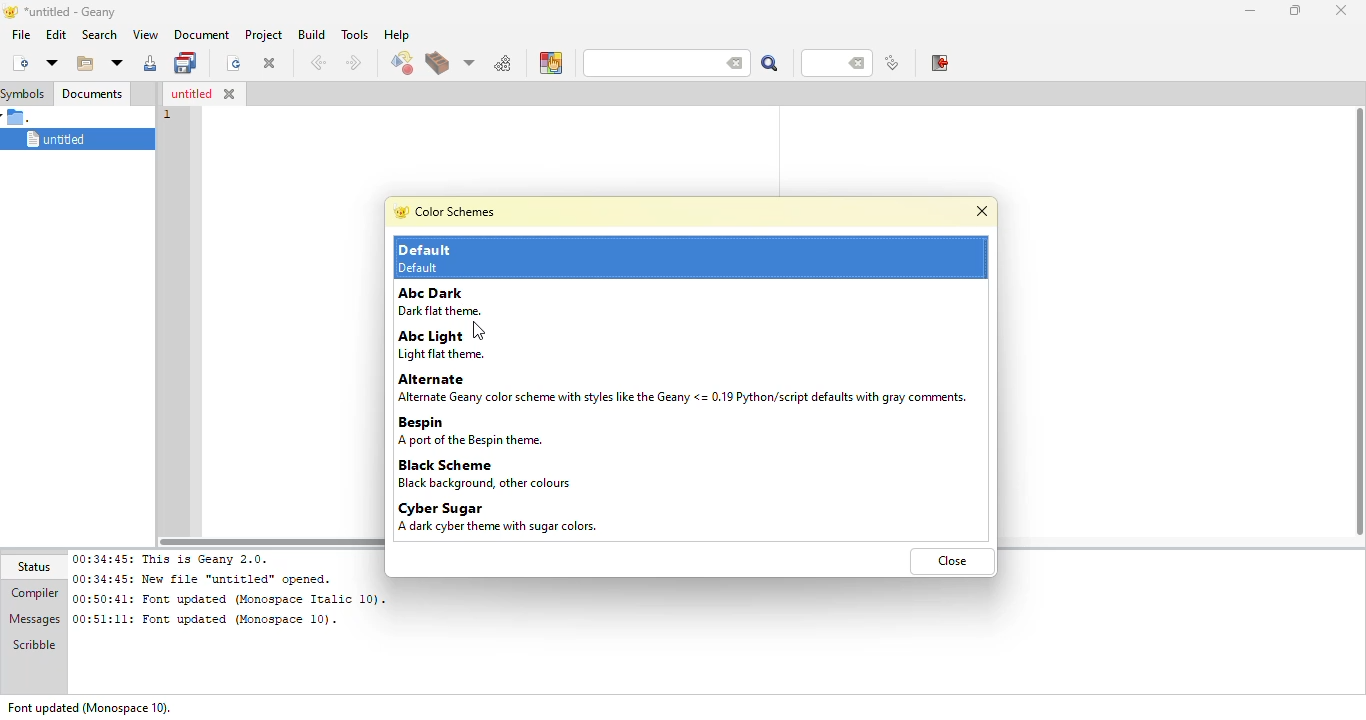  Describe the element at coordinates (890, 64) in the screenshot. I see `jump to line` at that location.